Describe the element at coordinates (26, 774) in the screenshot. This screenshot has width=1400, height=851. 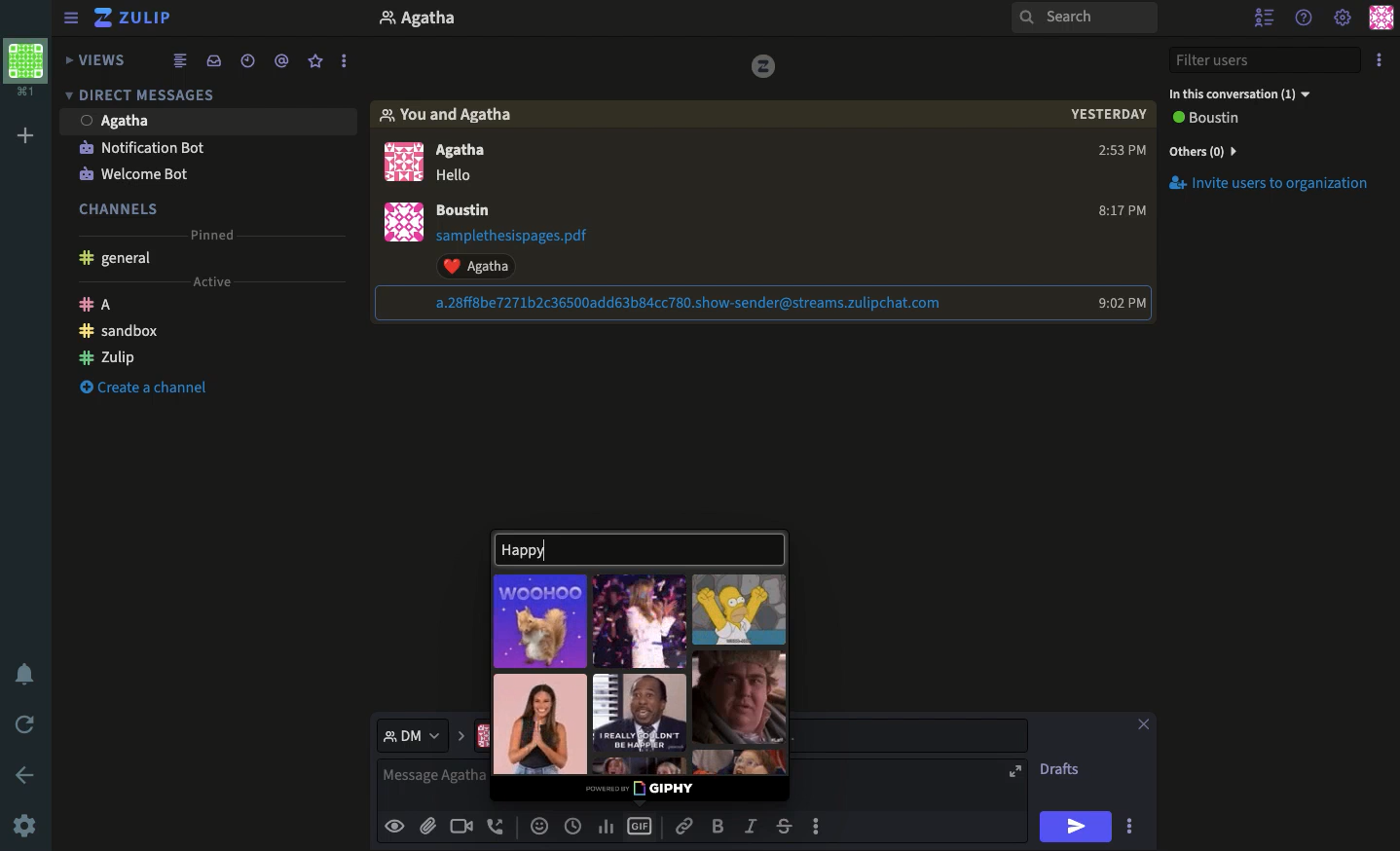
I see `Go back` at that location.